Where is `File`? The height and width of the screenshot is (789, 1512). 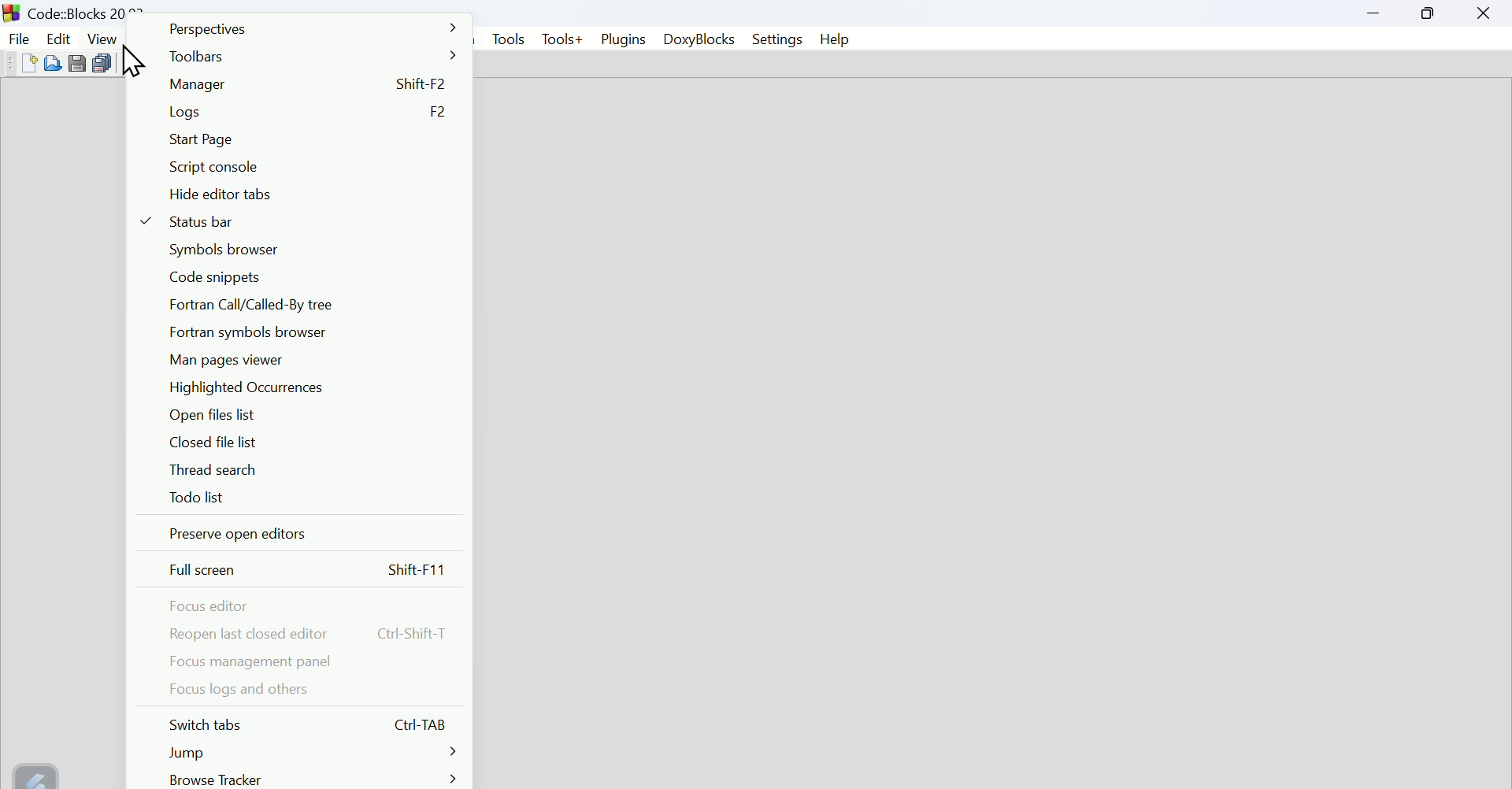
File is located at coordinates (18, 39).